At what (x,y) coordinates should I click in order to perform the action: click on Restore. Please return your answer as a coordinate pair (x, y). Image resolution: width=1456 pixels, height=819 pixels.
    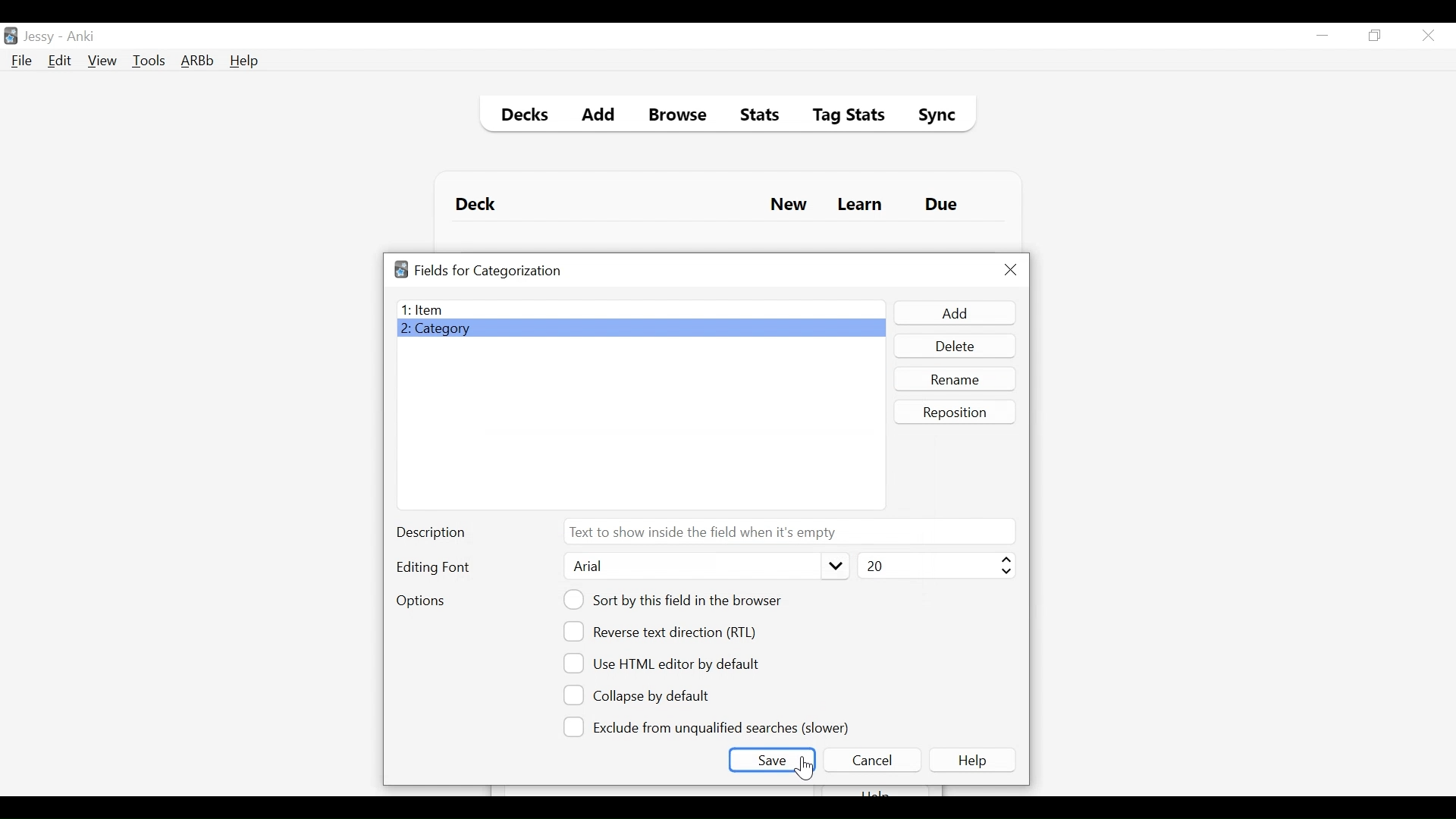
    Looking at the image, I should click on (1376, 36).